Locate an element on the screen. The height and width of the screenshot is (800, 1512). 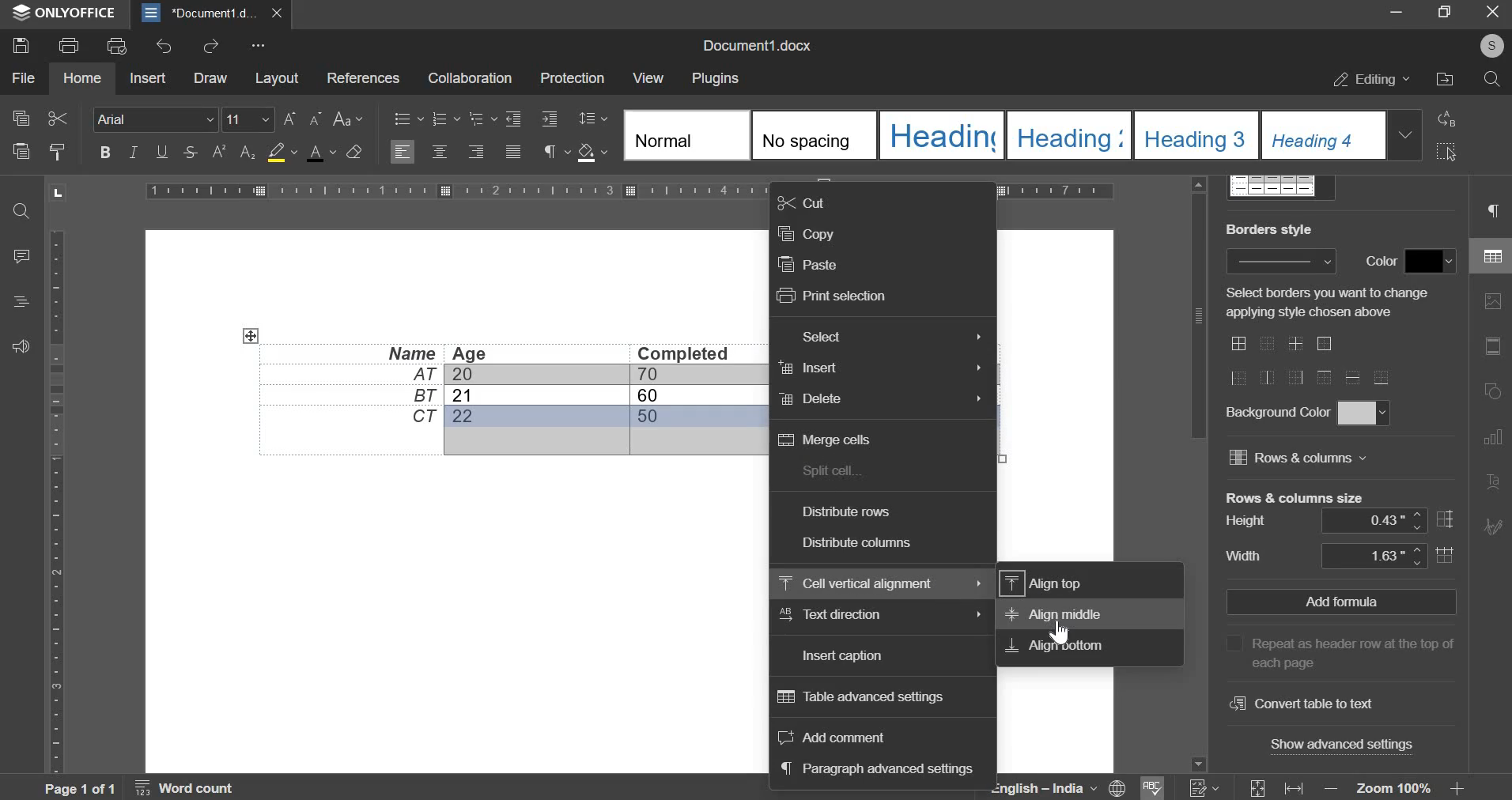
right side bar is located at coordinates (1488, 415).